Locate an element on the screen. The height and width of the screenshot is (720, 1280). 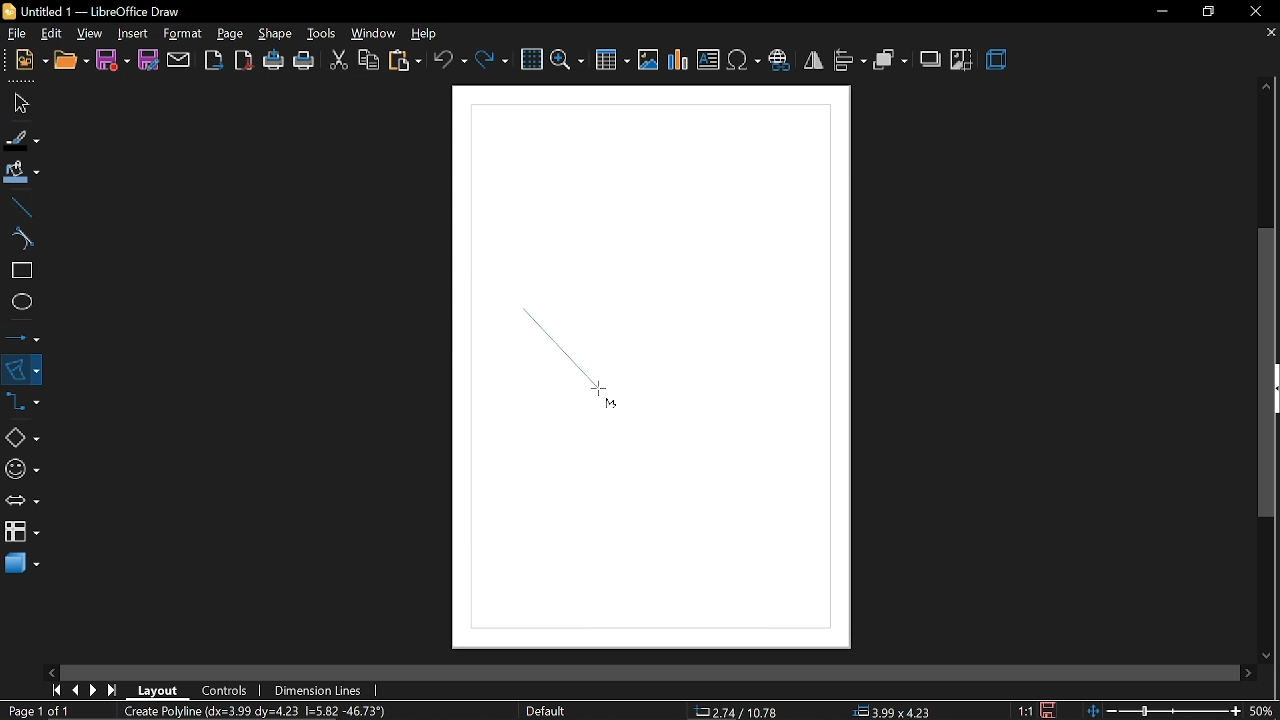
move left is located at coordinates (51, 671).